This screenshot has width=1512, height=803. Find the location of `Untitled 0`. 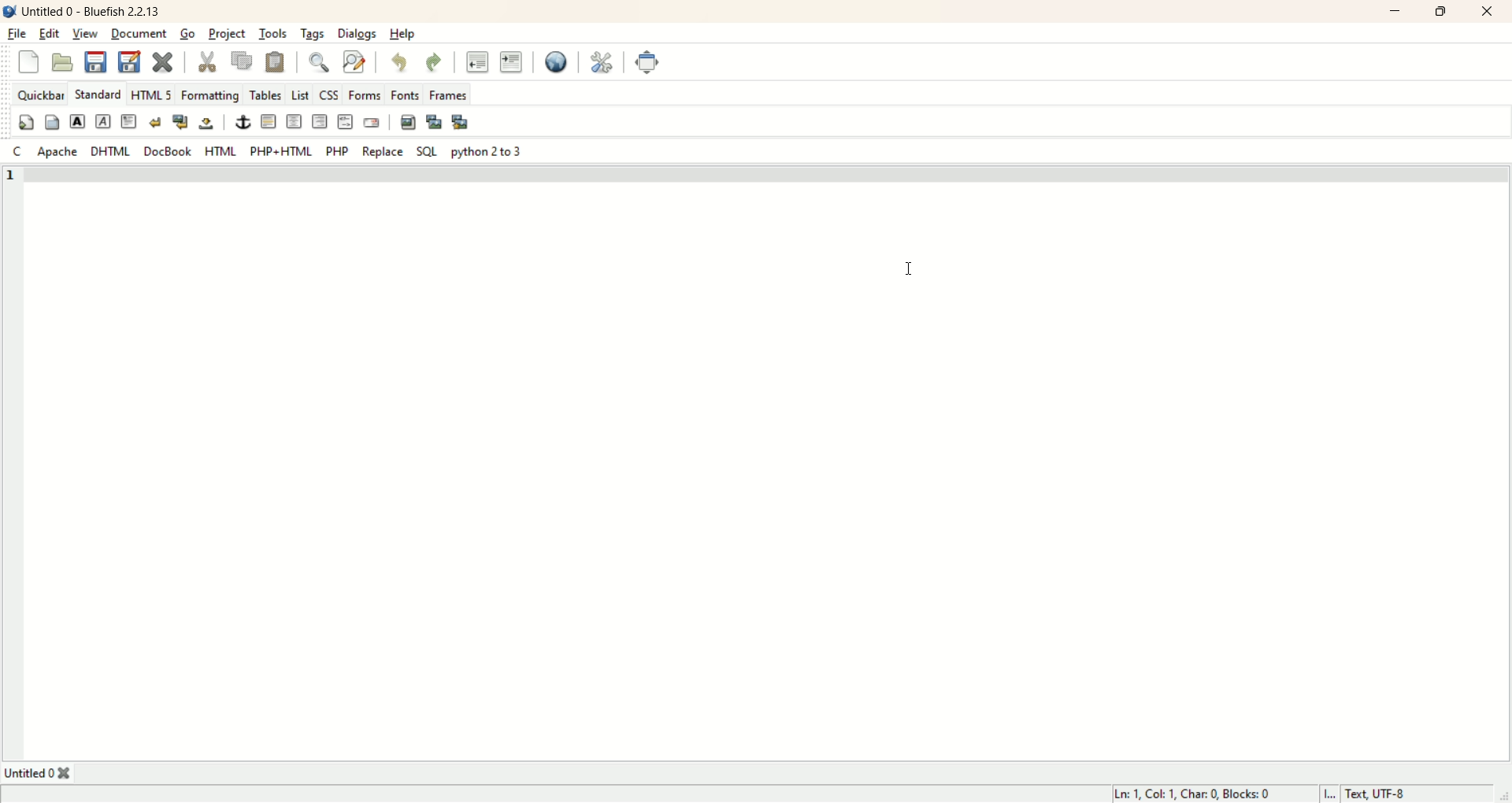

Untitled 0 is located at coordinates (42, 772).